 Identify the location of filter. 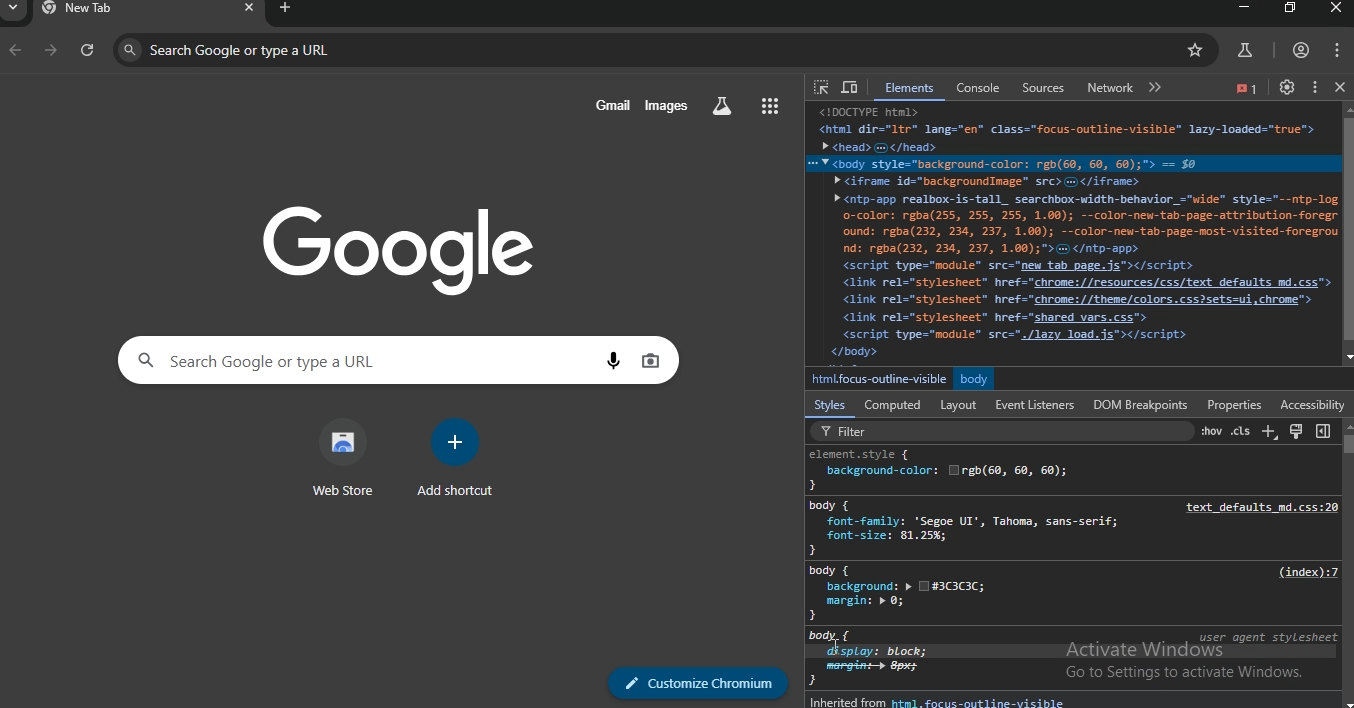
(956, 433).